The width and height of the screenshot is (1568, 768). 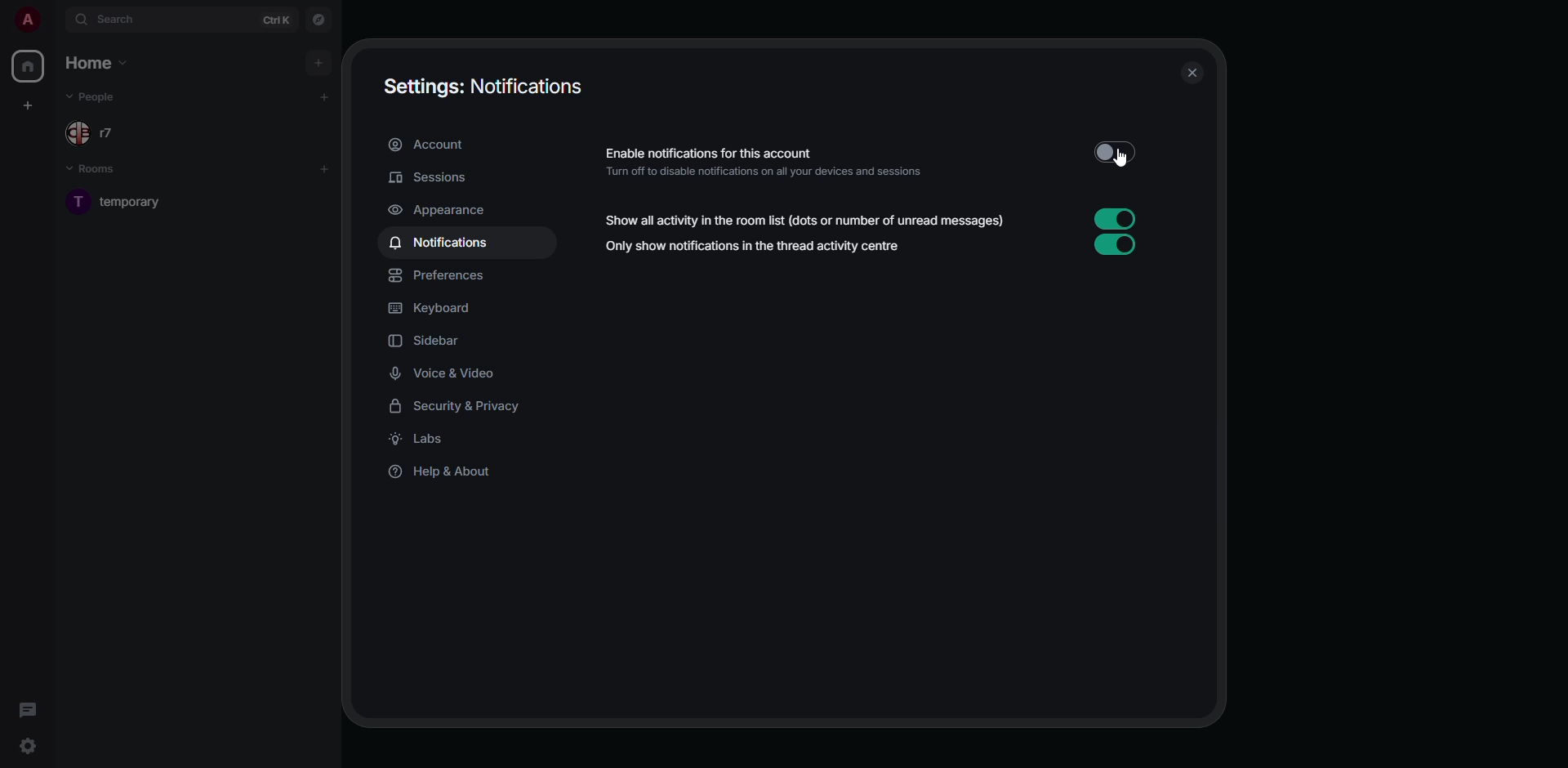 What do you see at coordinates (1191, 73) in the screenshot?
I see `close` at bounding box center [1191, 73].